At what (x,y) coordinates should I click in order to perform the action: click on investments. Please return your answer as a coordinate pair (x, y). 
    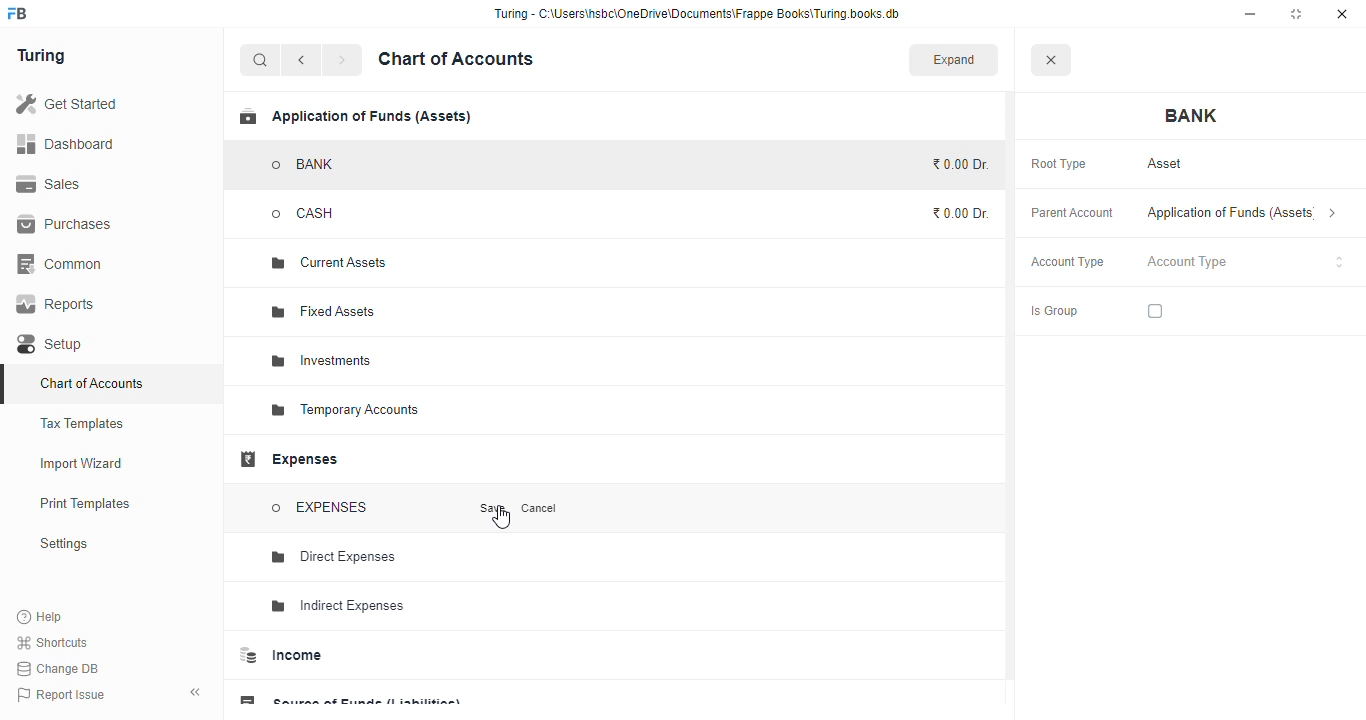
    Looking at the image, I should click on (321, 361).